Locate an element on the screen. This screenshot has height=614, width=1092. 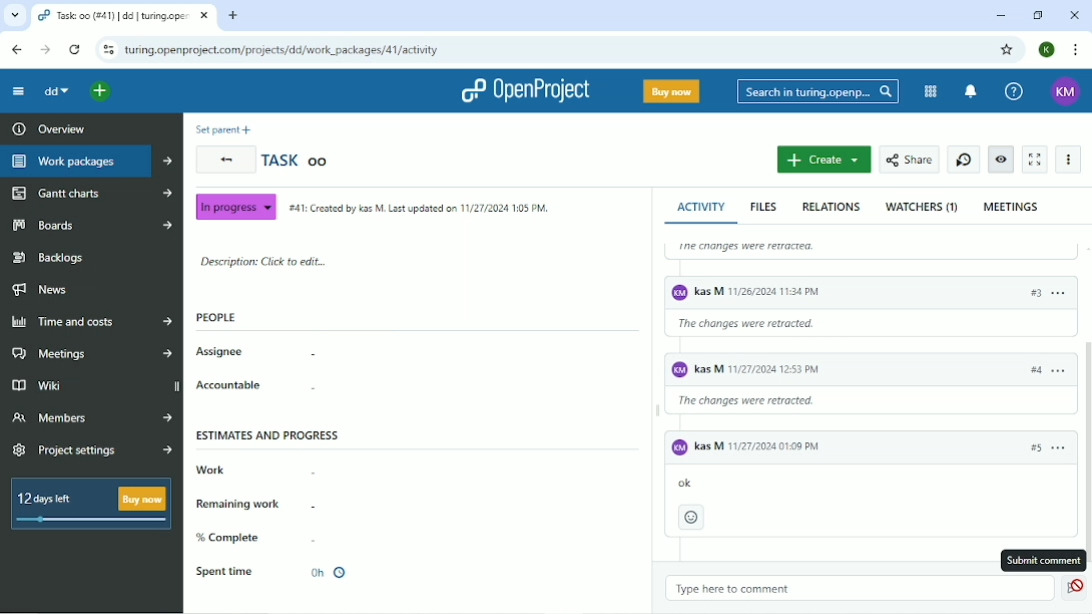
Unwatch work package is located at coordinates (1002, 159).